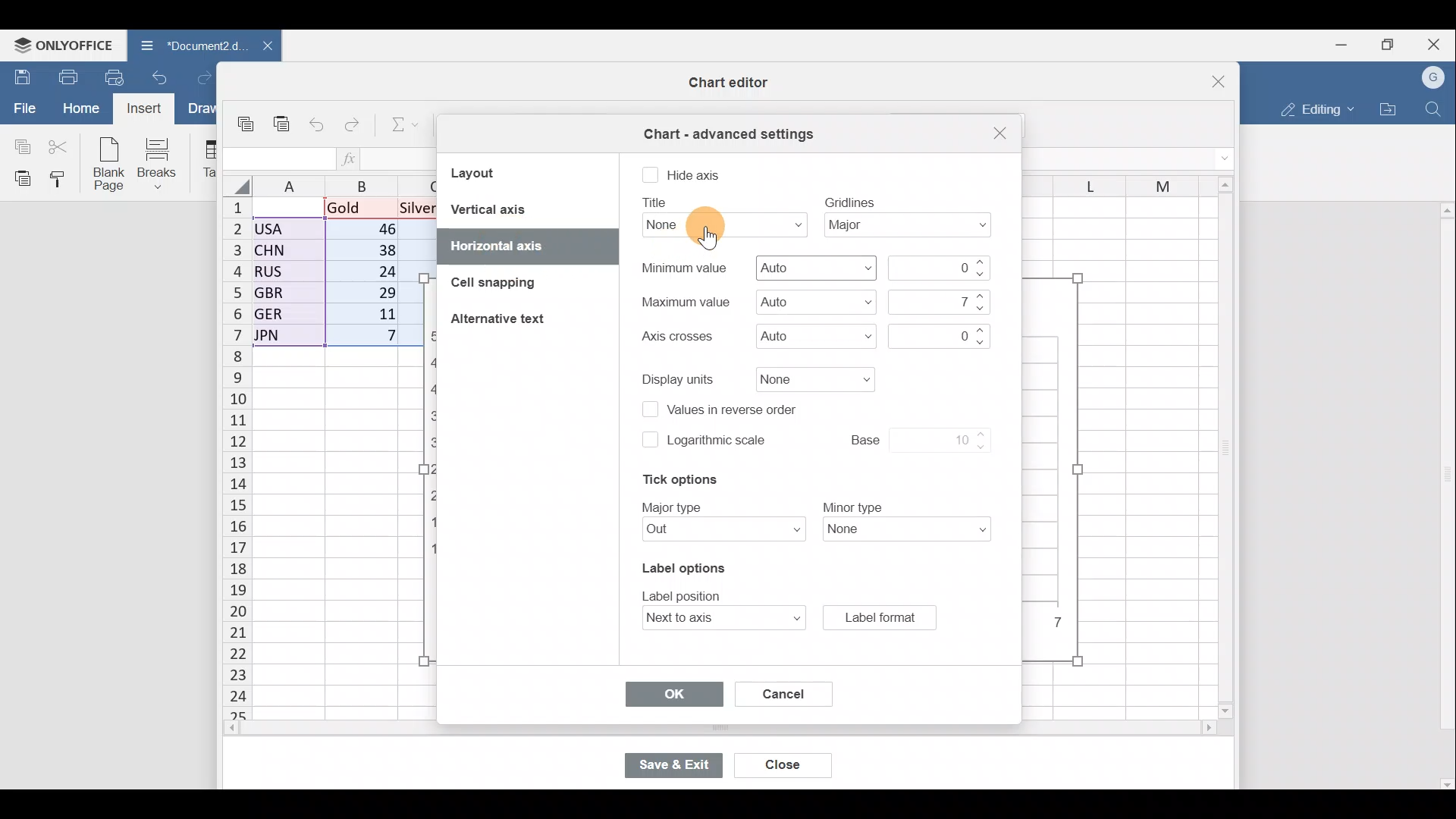  I want to click on Breaks, so click(165, 162).